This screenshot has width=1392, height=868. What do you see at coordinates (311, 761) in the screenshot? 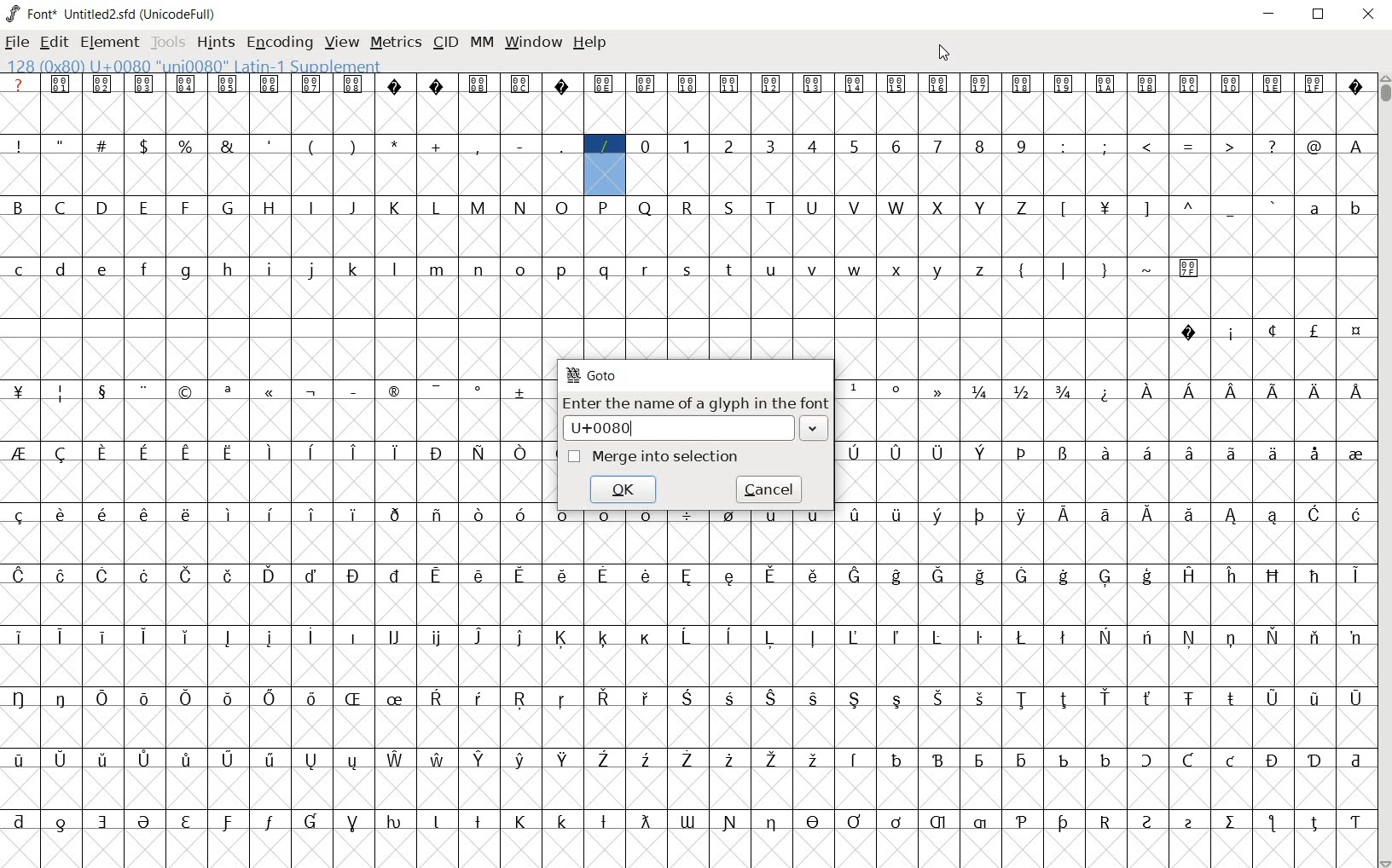
I see `glyph` at bounding box center [311, 761].